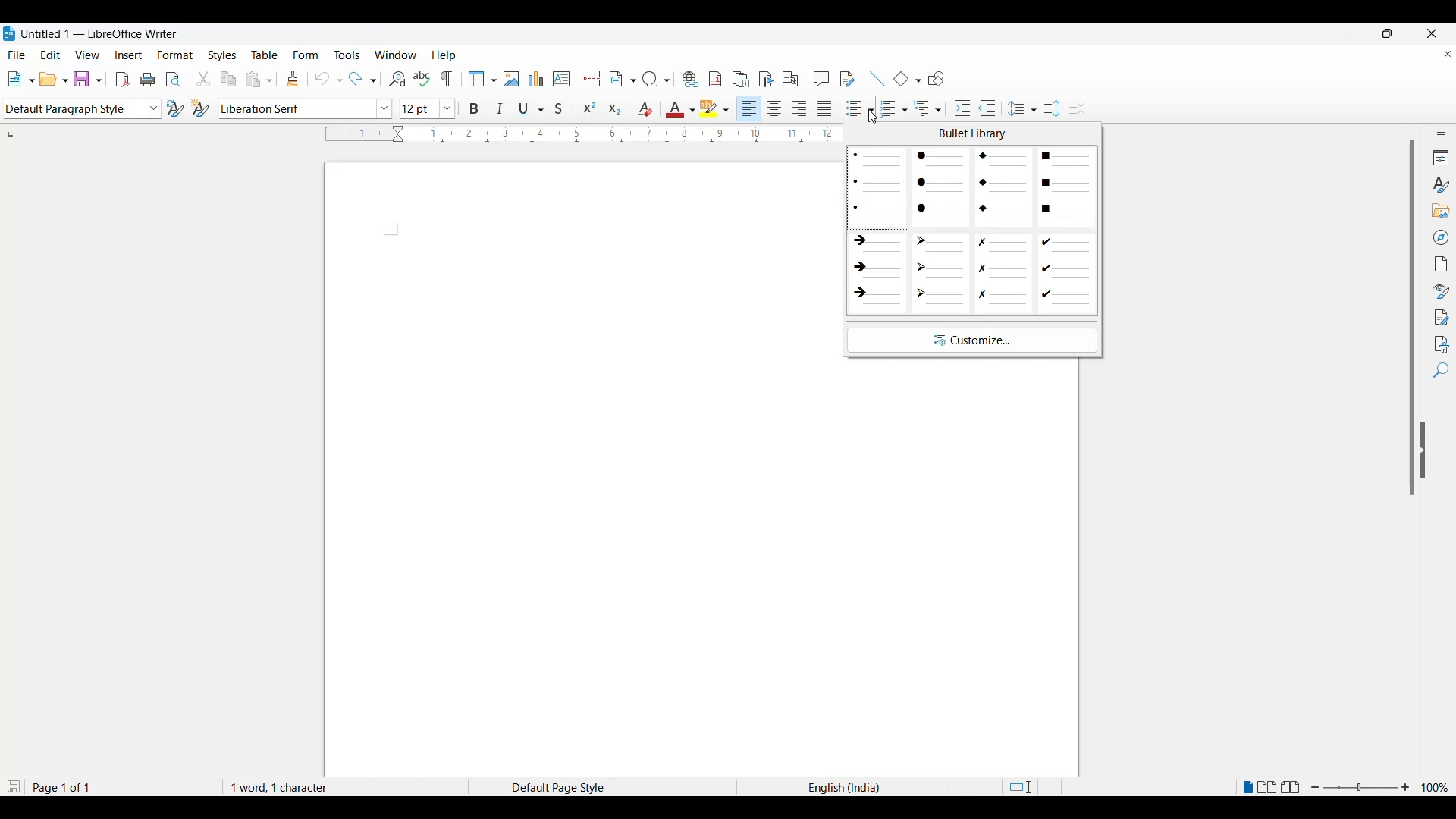  I want to click on Edit, so click(49, 52).